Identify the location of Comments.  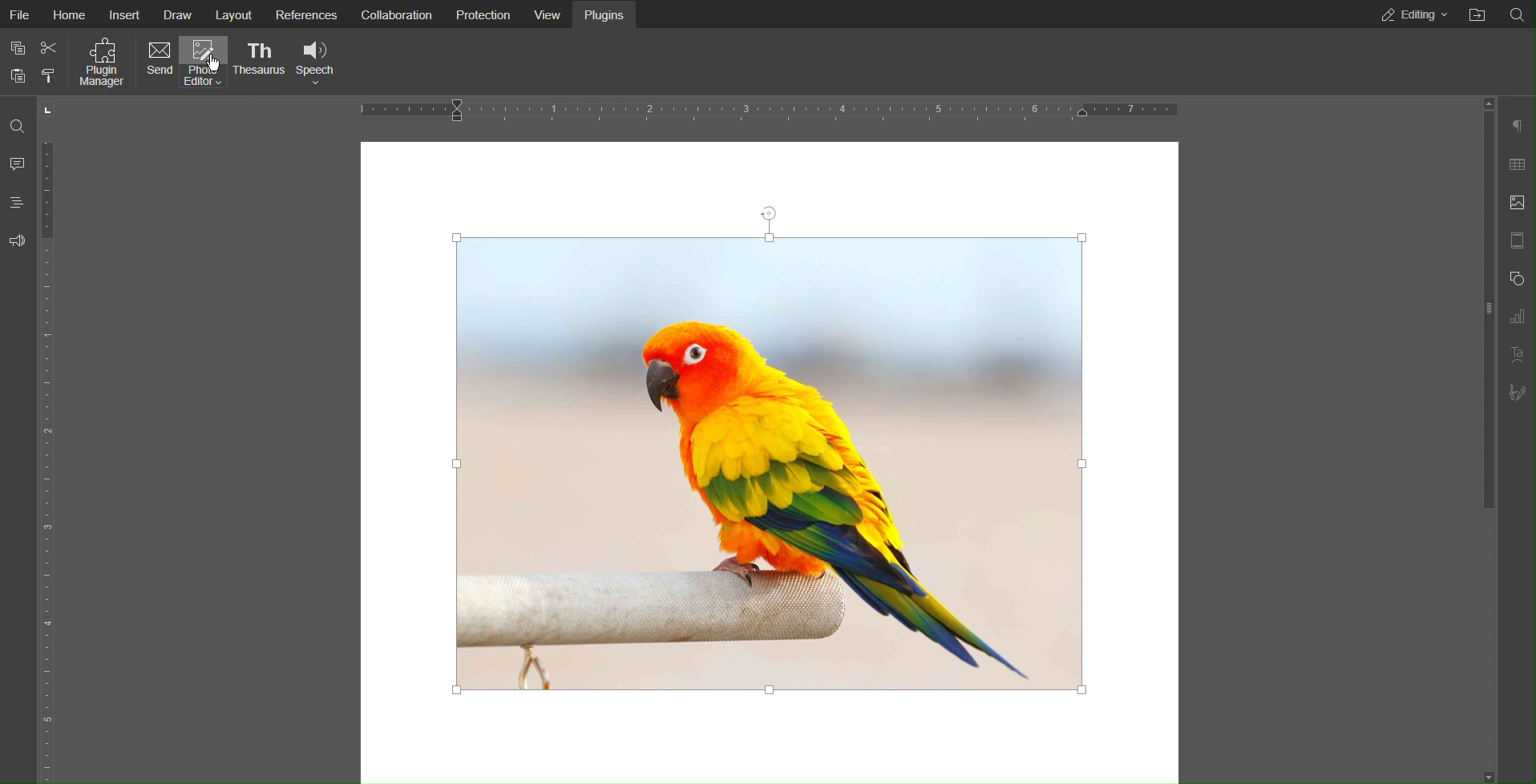
(19, 162).